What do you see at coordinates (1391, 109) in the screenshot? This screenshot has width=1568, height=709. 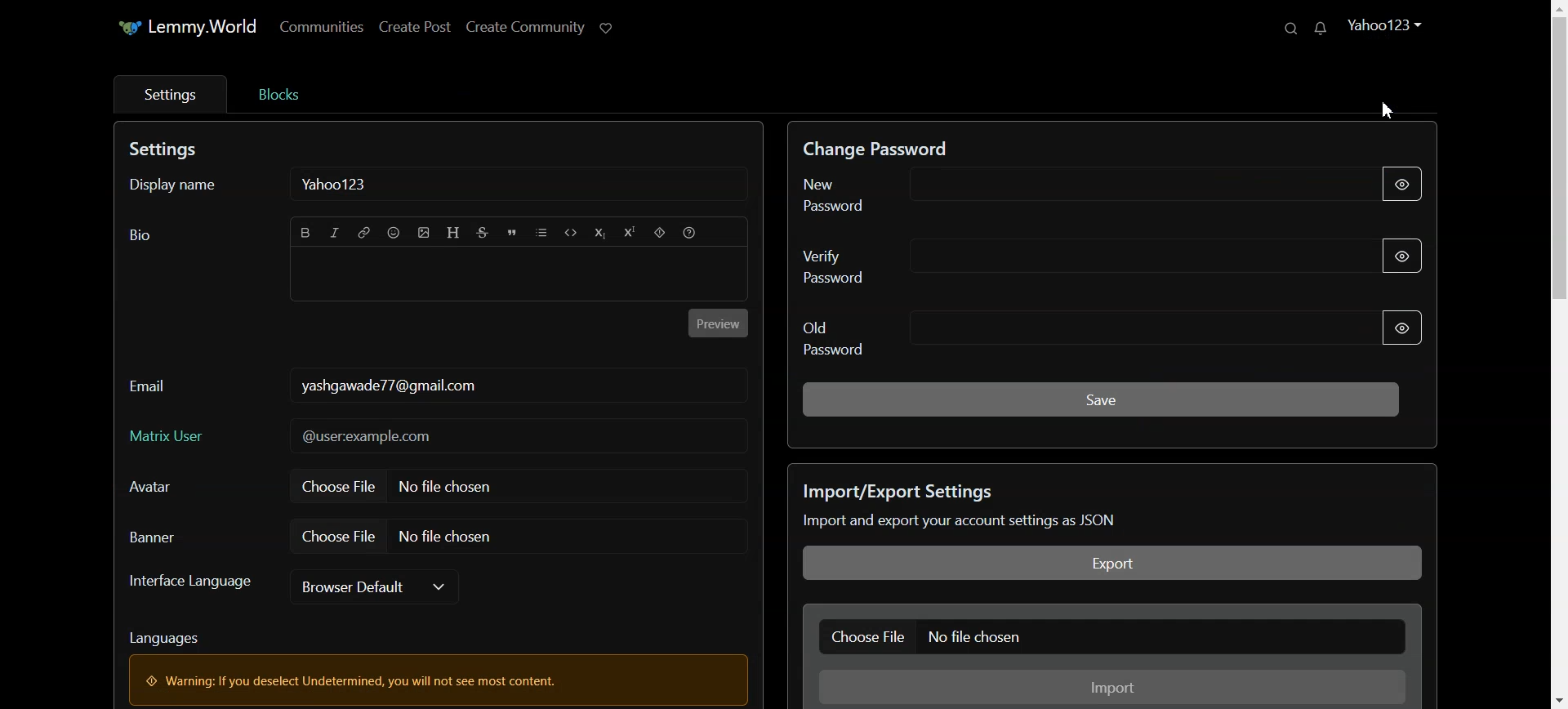 I see `Cursor` at bounding box center [1391, 109].